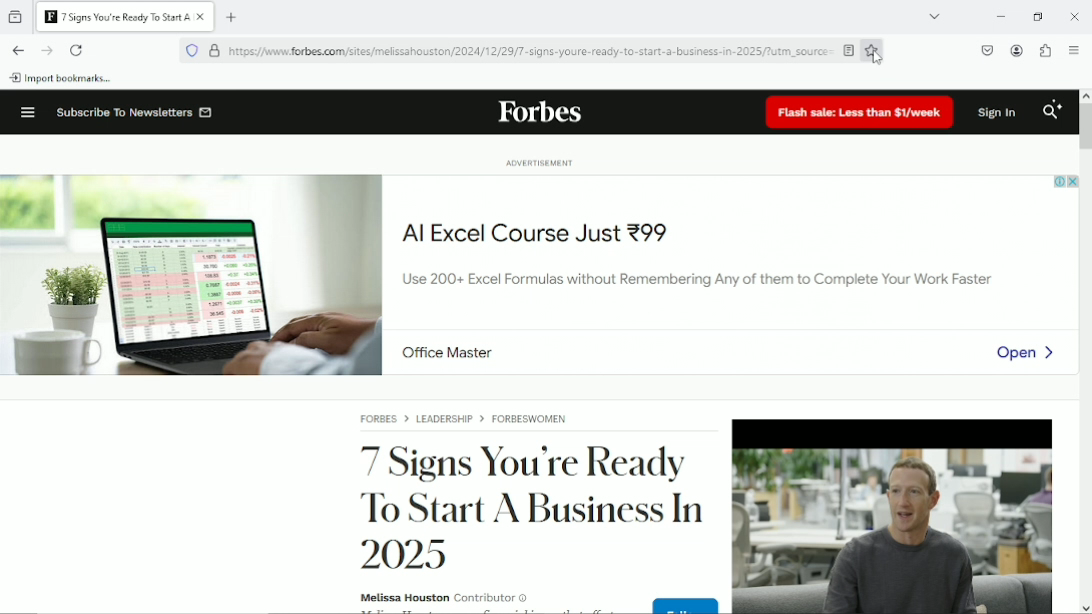 This screenshot has width=1092, height=614. What do you see at coordinates (17, 50) in the screenshot?
I see `Go back` at bounding box center [17, 50].